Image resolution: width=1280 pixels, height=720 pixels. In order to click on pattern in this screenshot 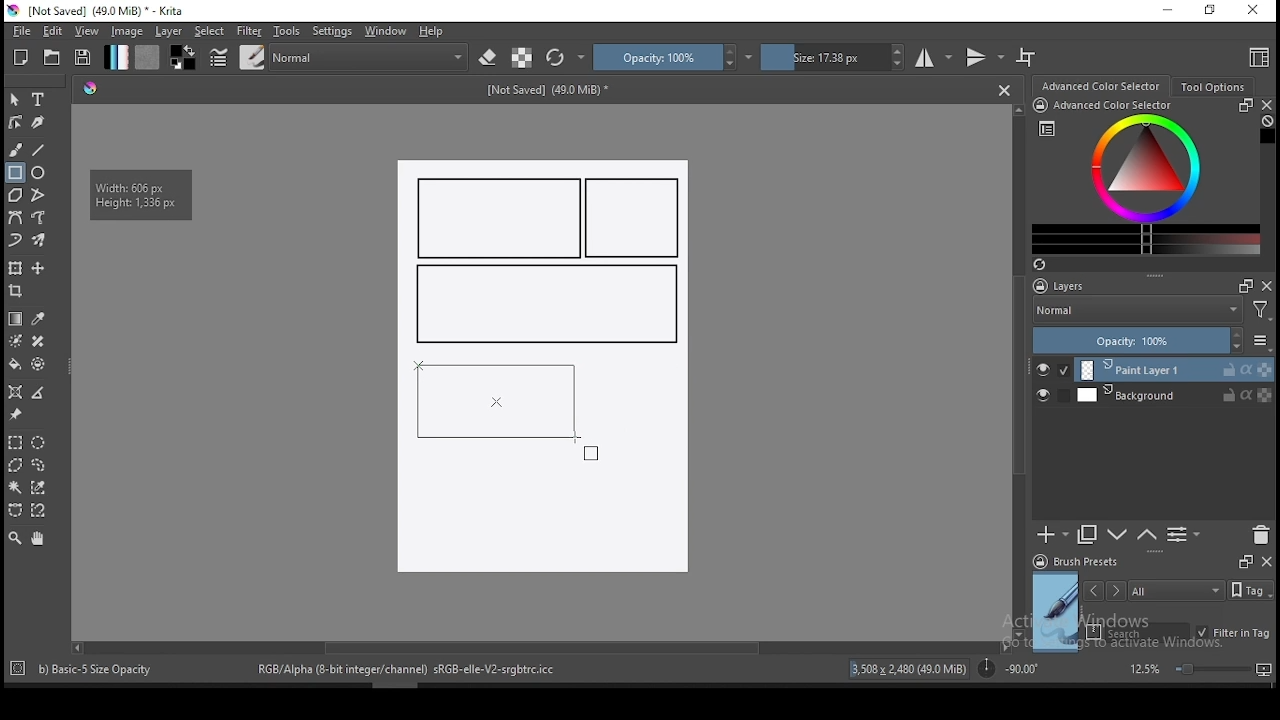, I will do `click(147, 57)`.